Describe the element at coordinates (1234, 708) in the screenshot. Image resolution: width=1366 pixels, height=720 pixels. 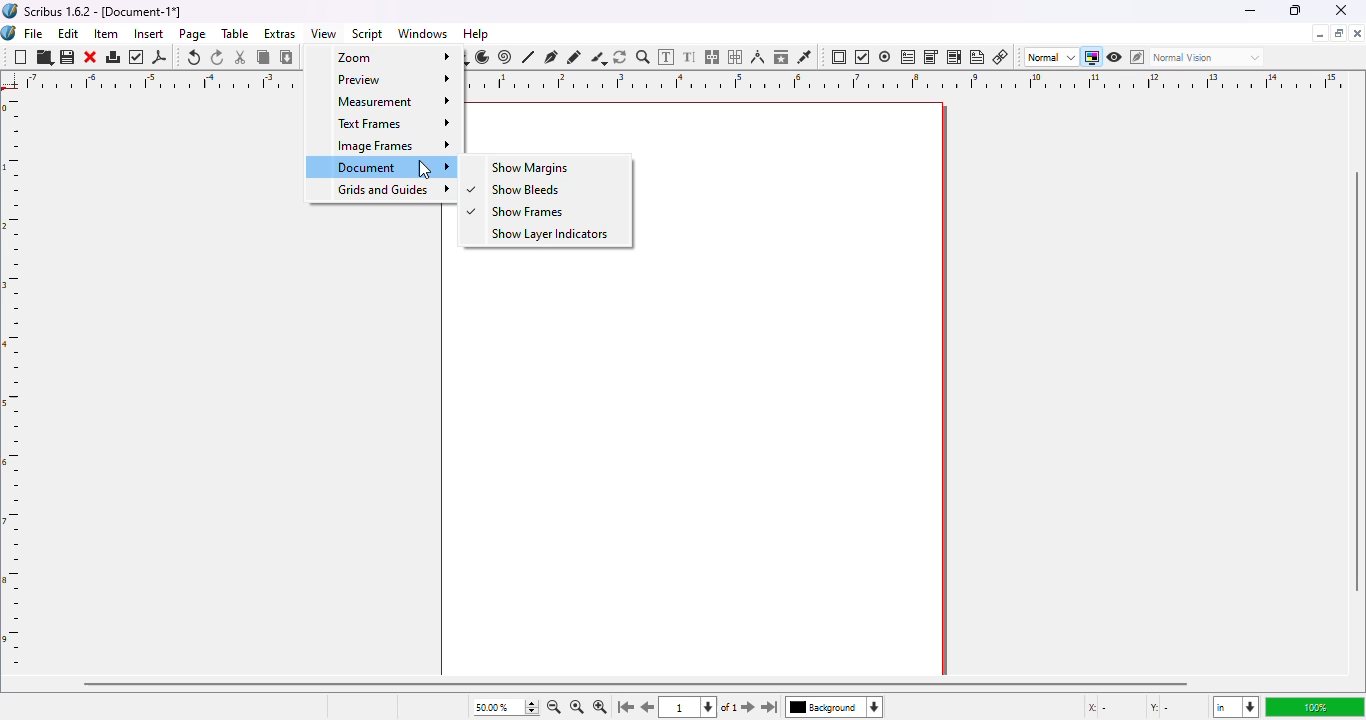
I see `in` at that location.